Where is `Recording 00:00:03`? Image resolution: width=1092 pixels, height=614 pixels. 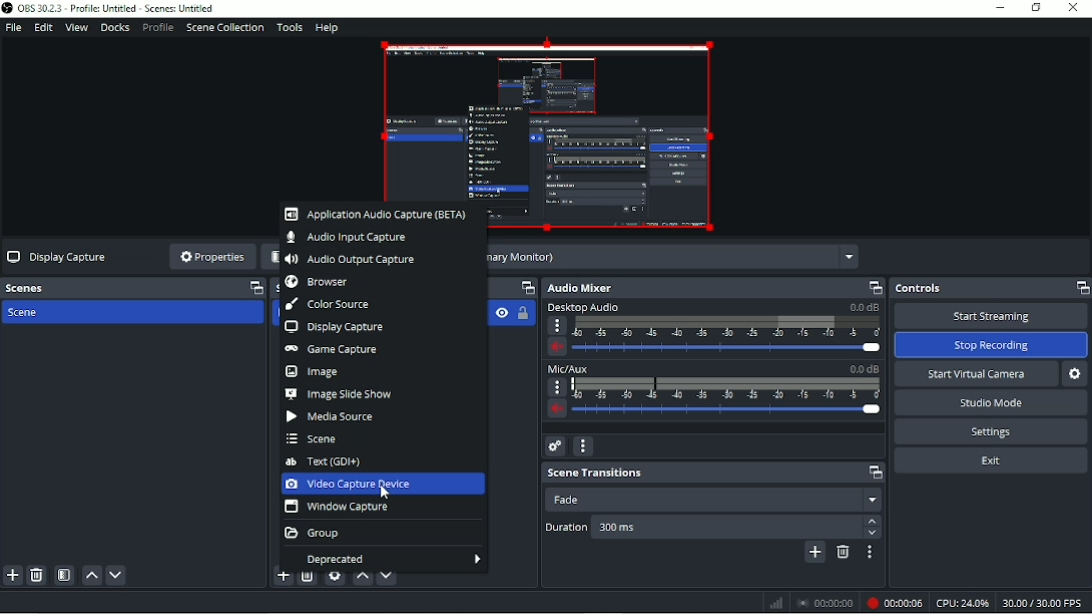
Recording 00:00:03 is located at coordinates (895, 603).